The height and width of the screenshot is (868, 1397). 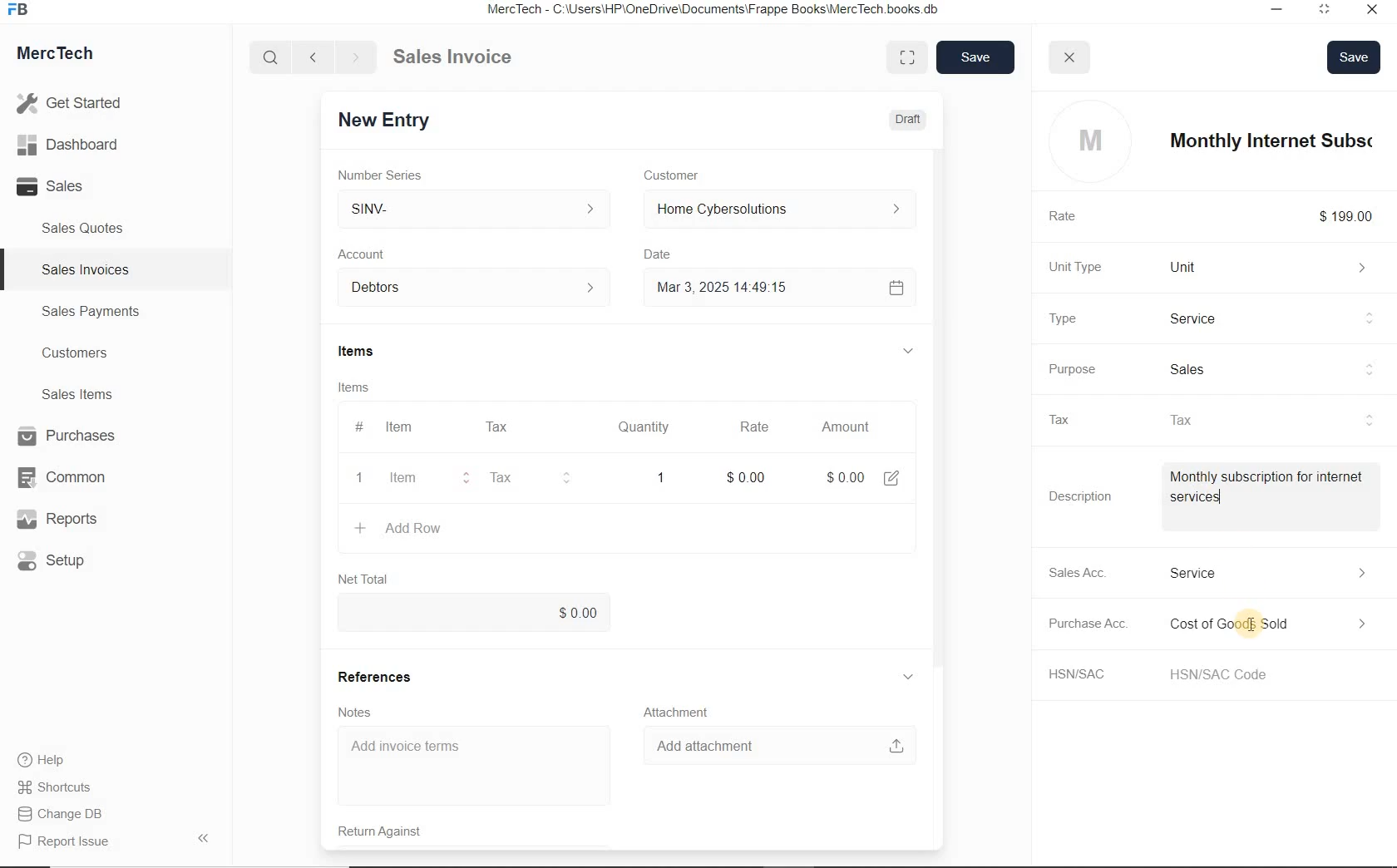 What do you see at coordinates (674, 710) in the screenshot?
I see `Attachment` at bounding box center [674, 710].